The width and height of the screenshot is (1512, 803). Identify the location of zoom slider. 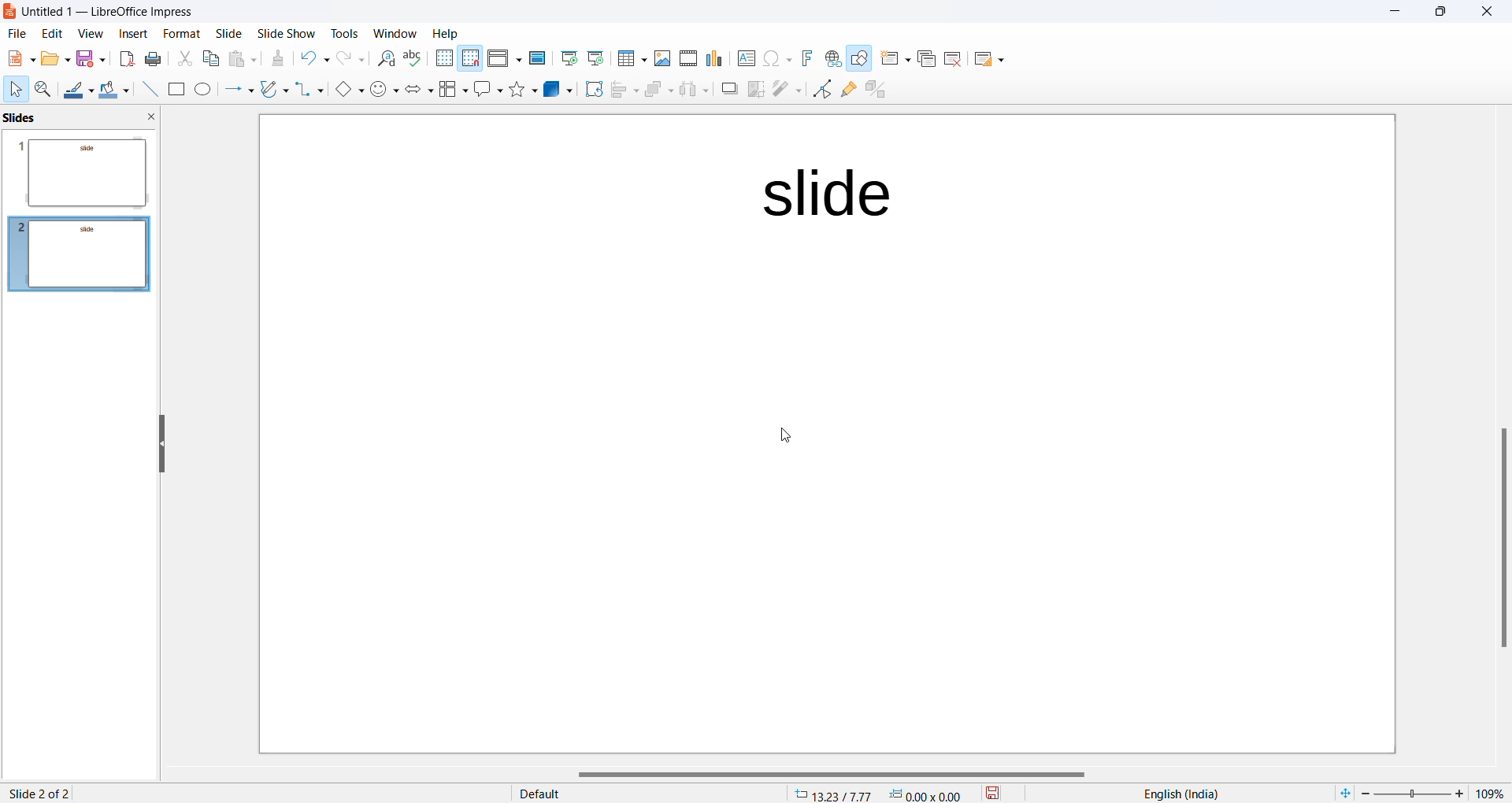
(1416, 792).